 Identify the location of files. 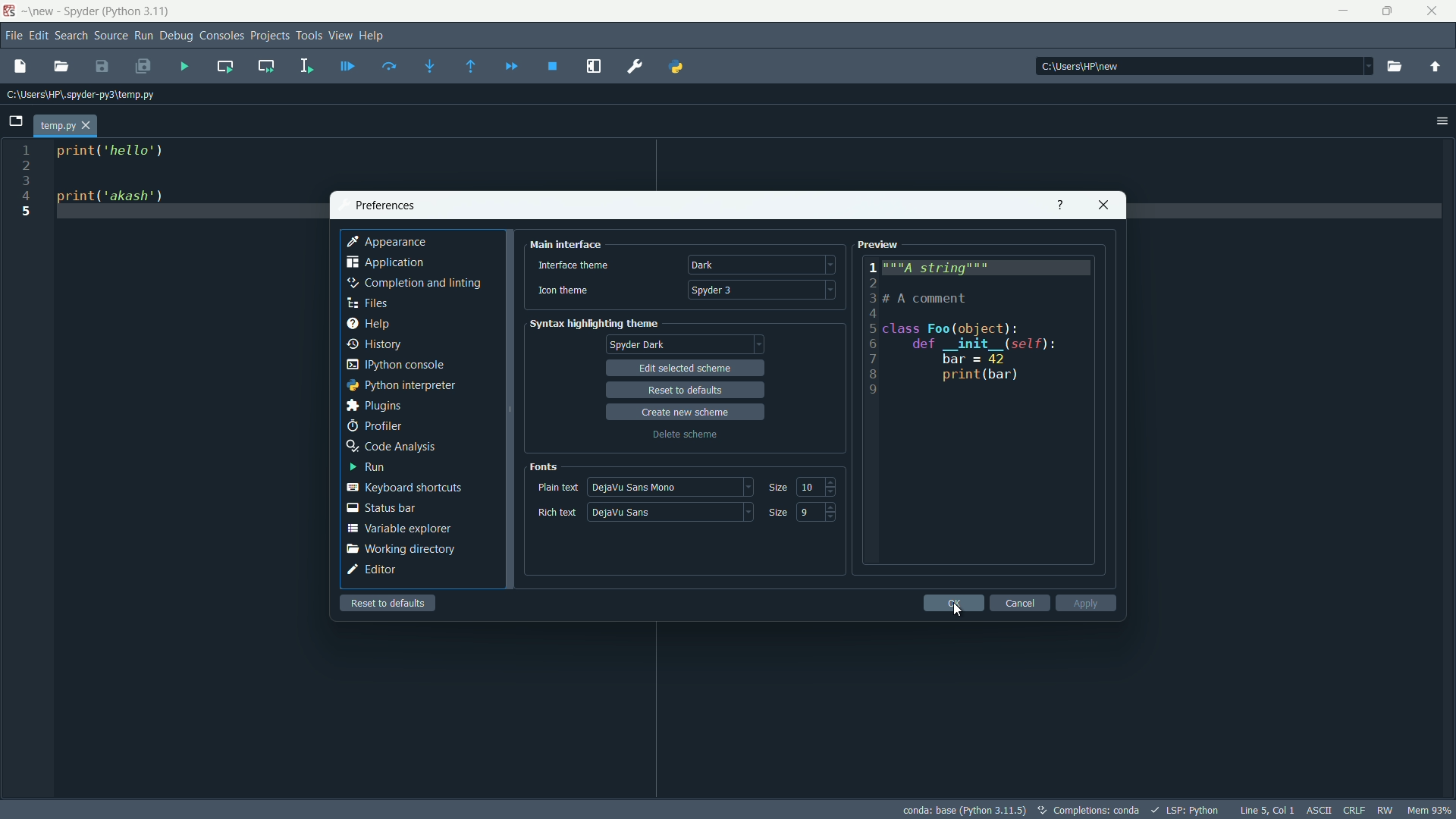
(371, 304).